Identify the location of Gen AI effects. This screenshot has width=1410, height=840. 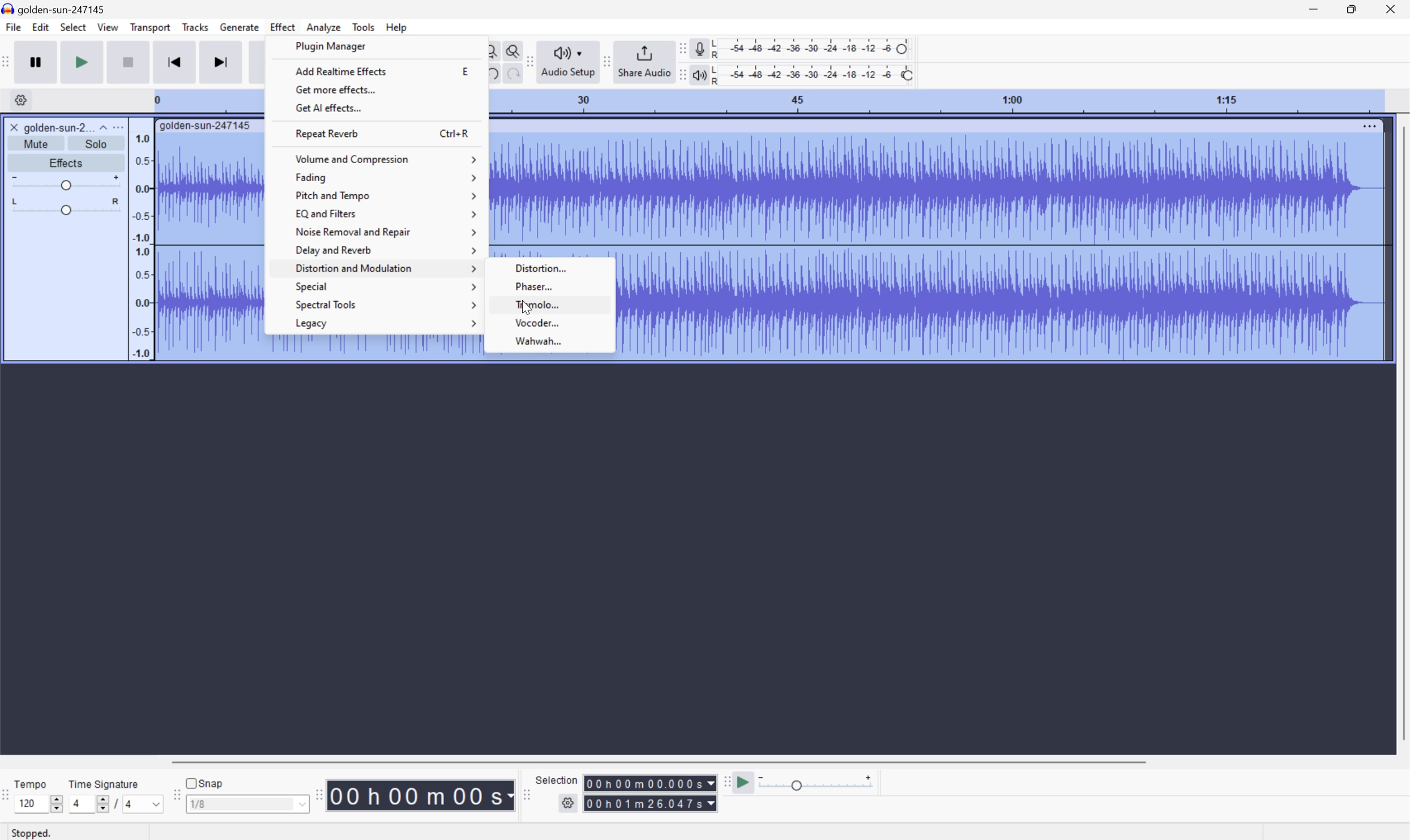
(328, 108).